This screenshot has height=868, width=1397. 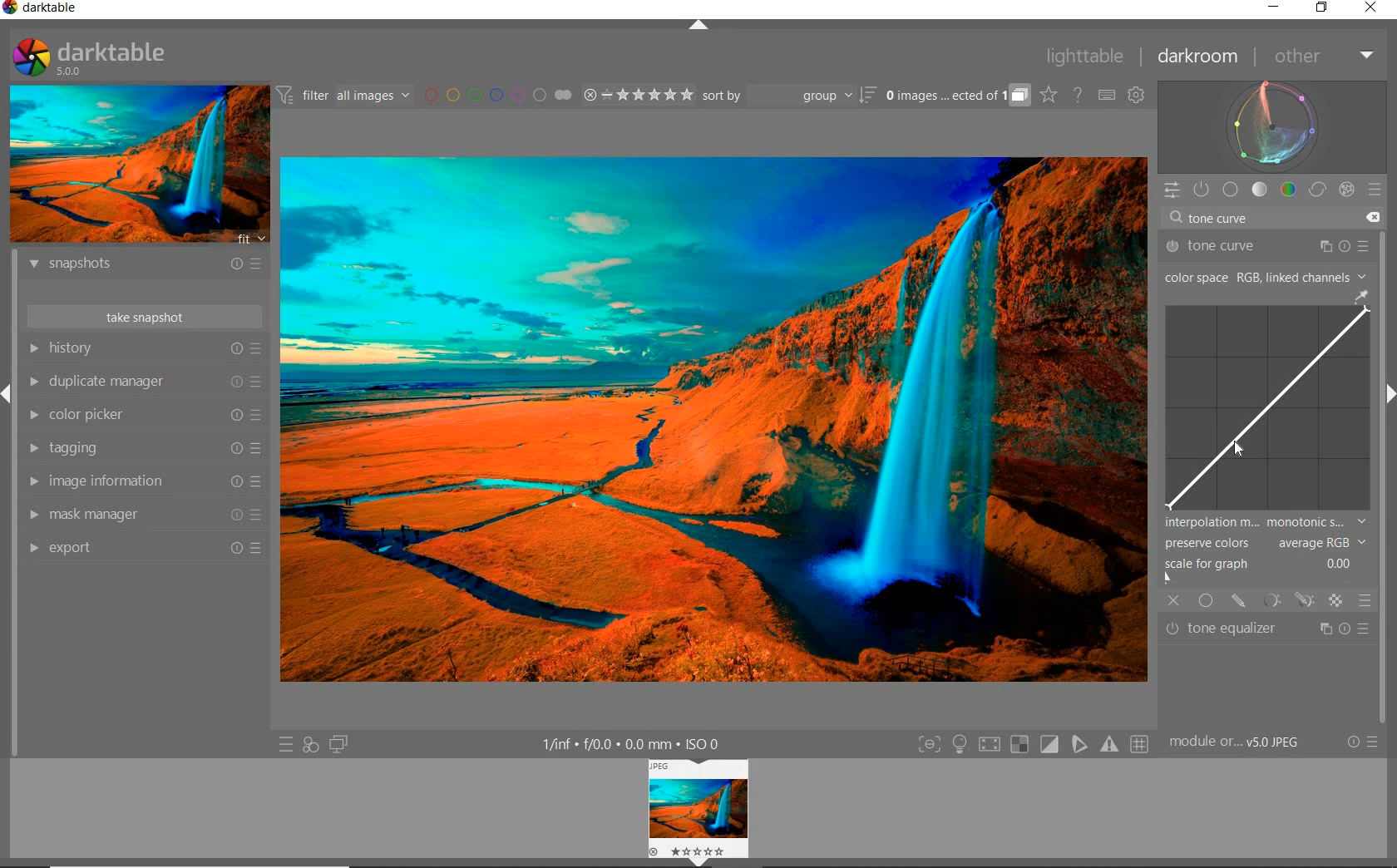 I want to click on CLICK TO CHANGE THE OVERLAYS SHOWN ON THUMBNAILS, so click(x=1049, y=95).